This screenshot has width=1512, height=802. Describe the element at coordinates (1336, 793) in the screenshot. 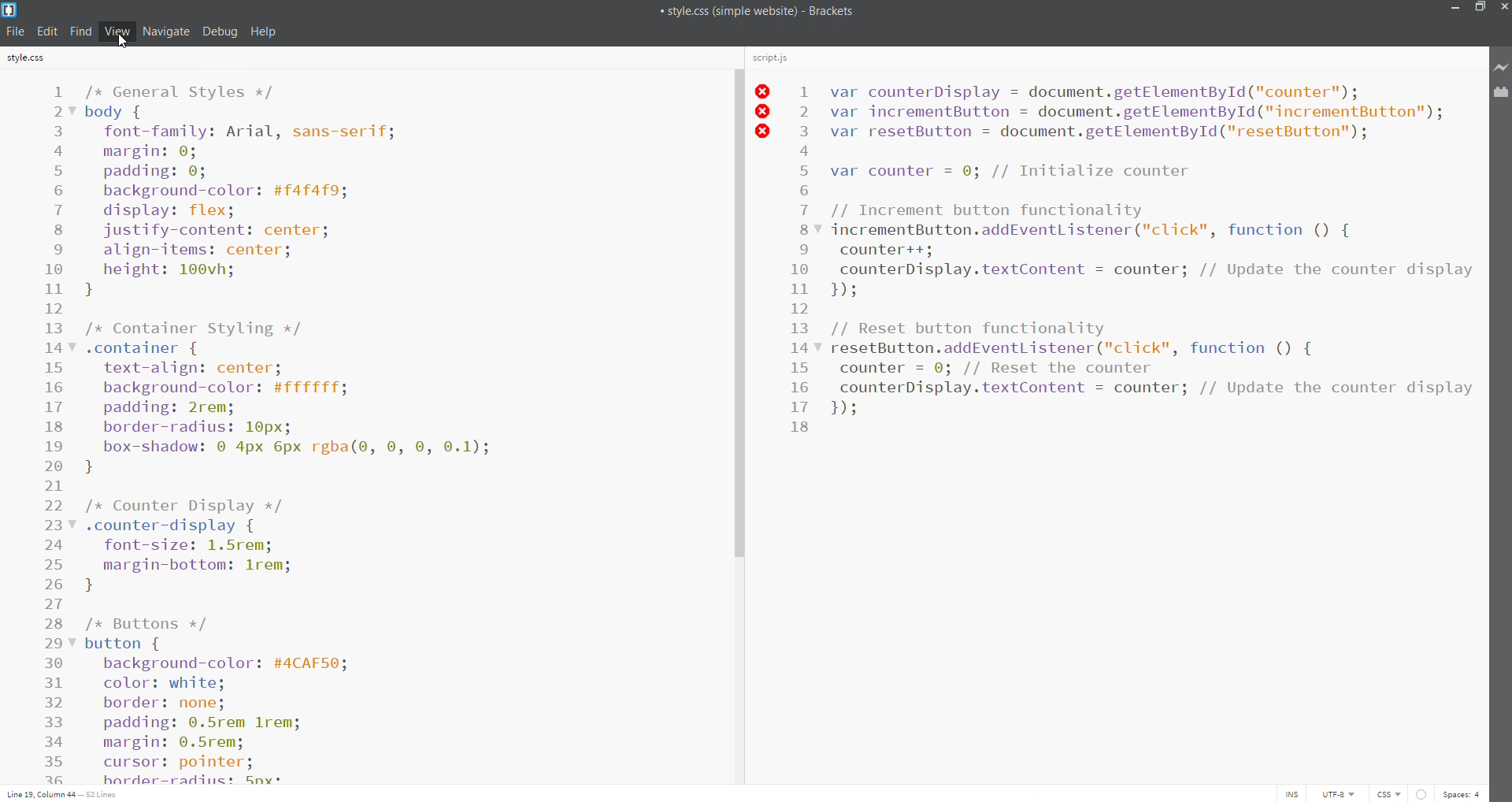

I see `encoding` at that location.